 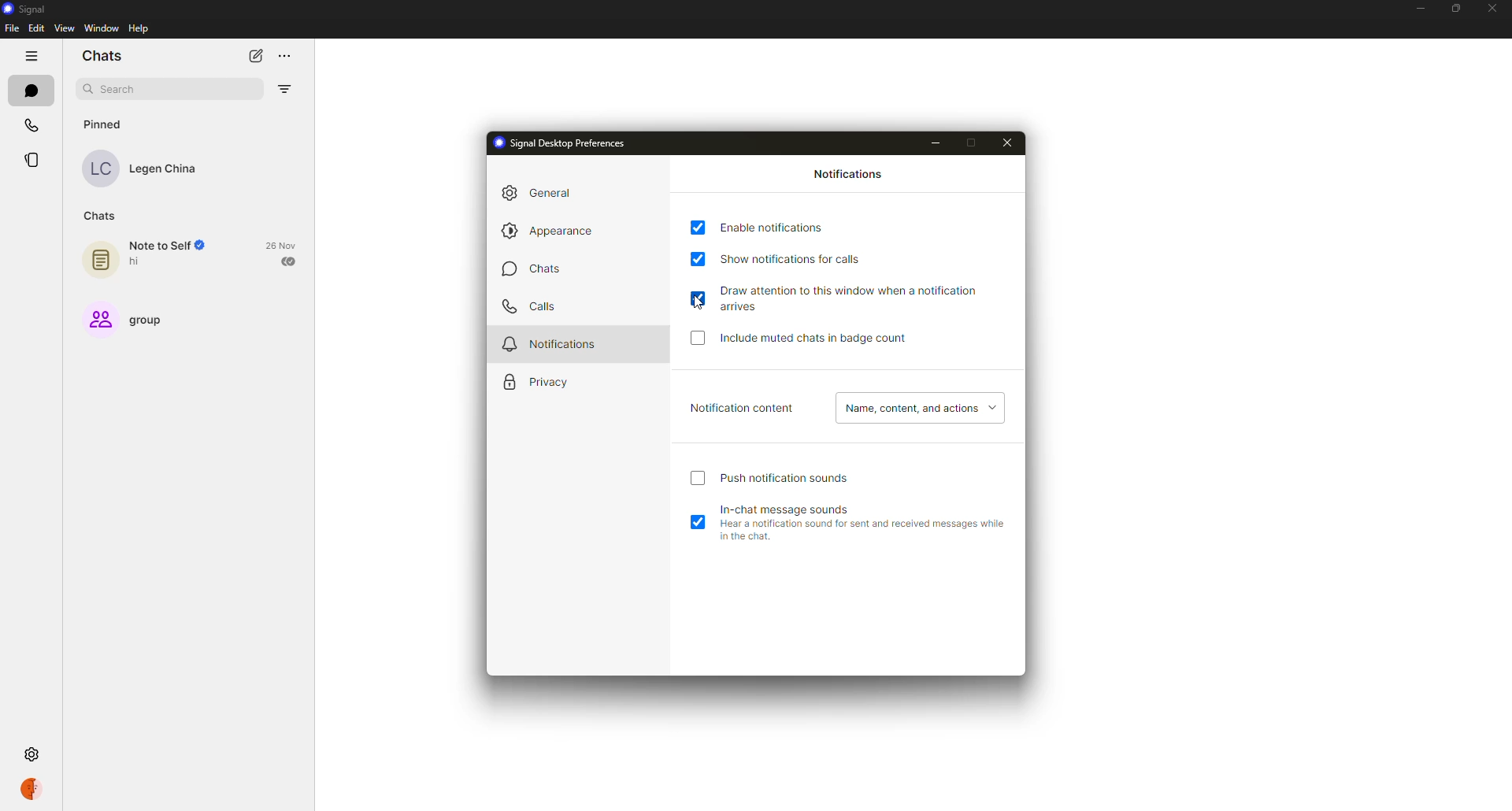 What do you see at coordinates (699, 343) in the screenshot?
I see `Click to enable` at bounding box center [699, 343].